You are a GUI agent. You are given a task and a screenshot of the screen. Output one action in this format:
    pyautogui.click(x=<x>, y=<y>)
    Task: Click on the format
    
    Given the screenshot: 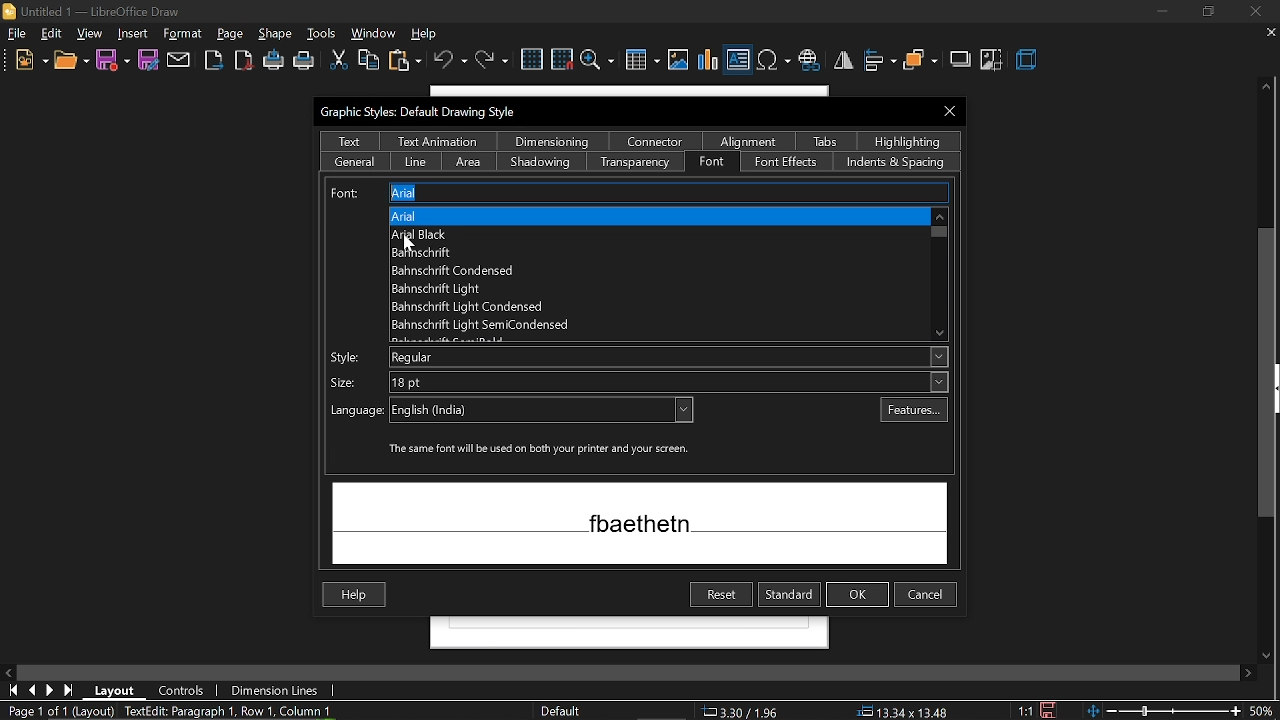 What is the action you would take?
    pyautogui.click(x=231, y=34)
    